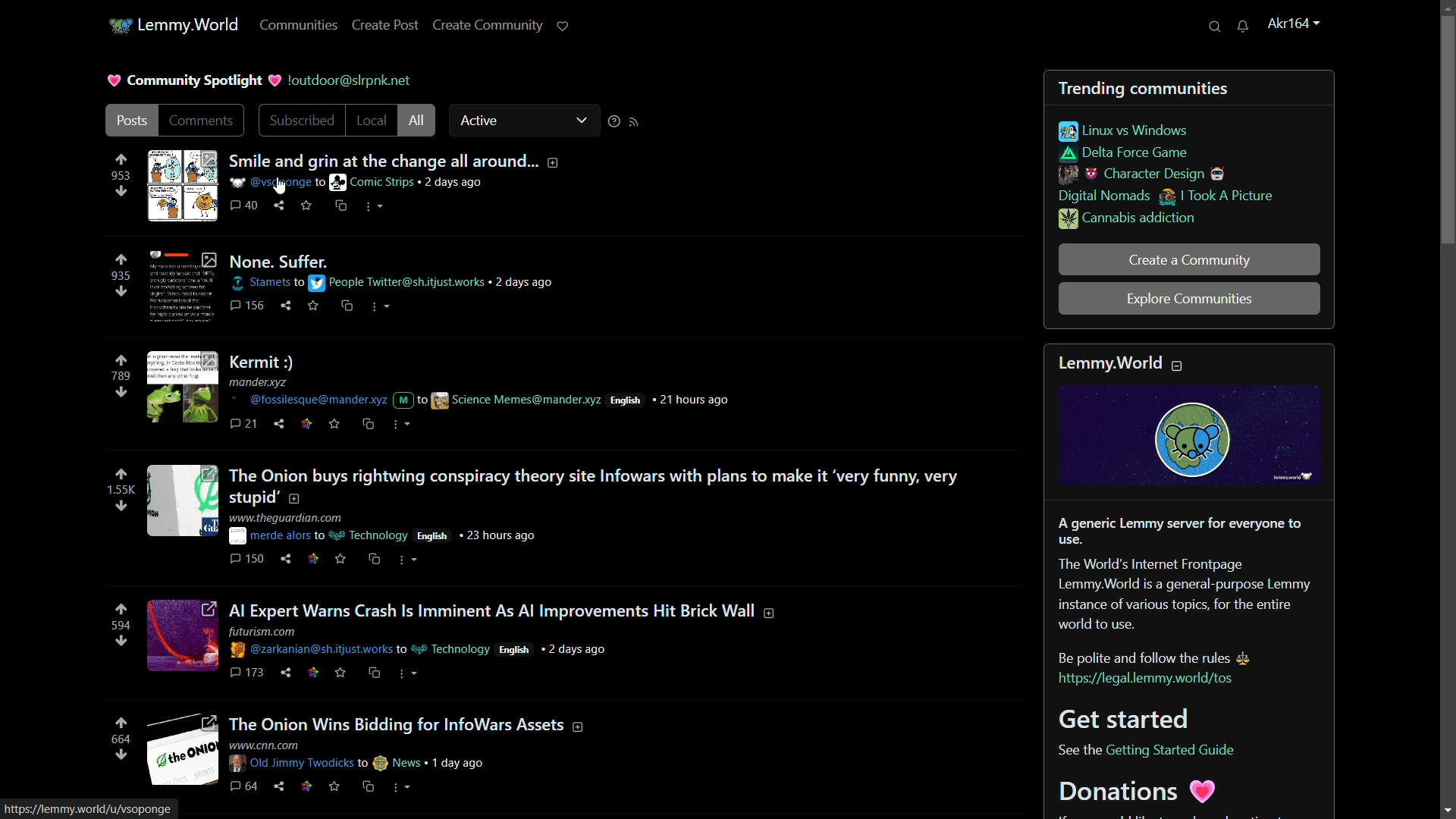 The image size is (1456, 819). What do you see at coordinates (309, 206) in the screenshot?
I see `svae` at bounding box center [309, 206].